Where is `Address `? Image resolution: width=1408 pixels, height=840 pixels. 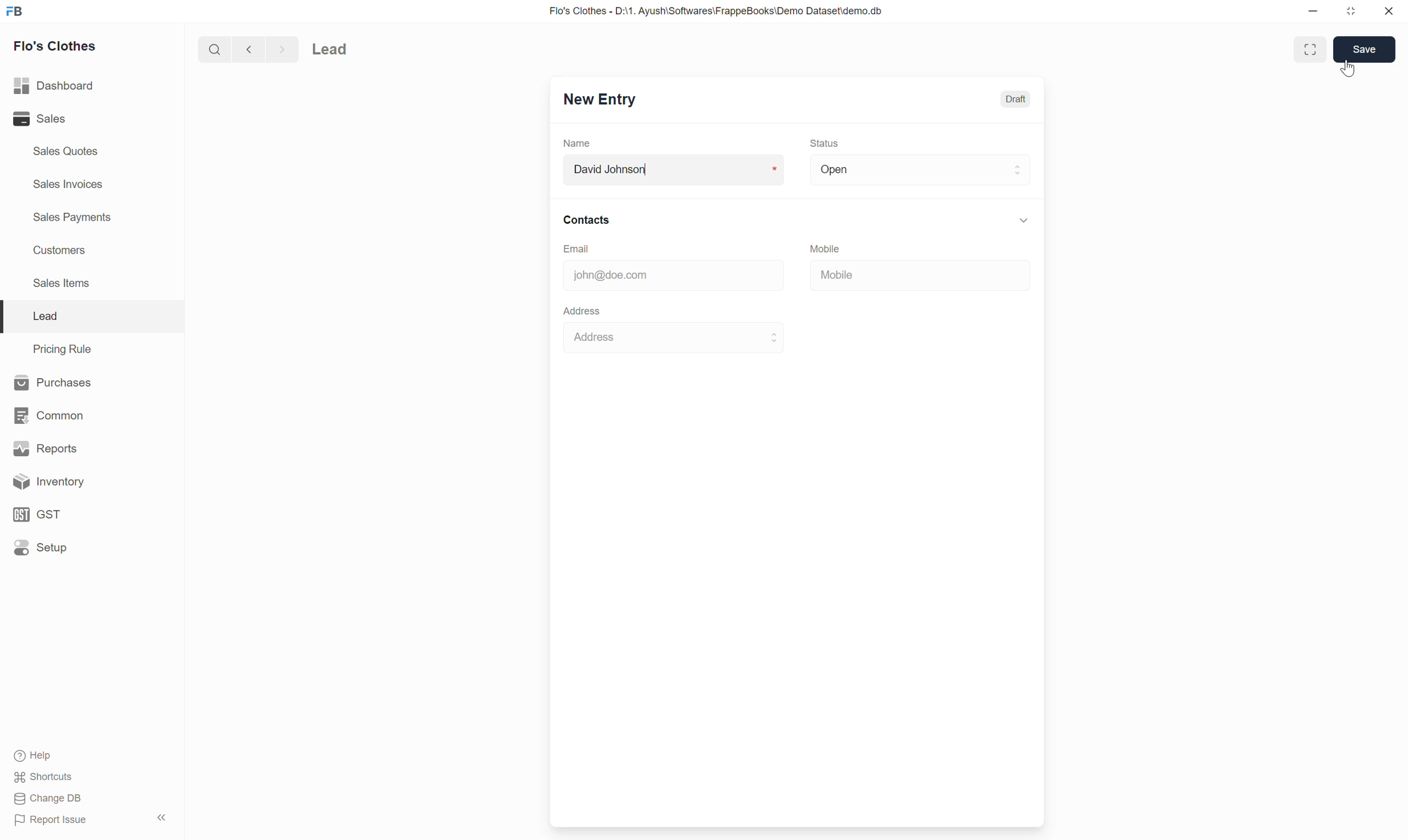
Address  is located at coordinates (670, 339).